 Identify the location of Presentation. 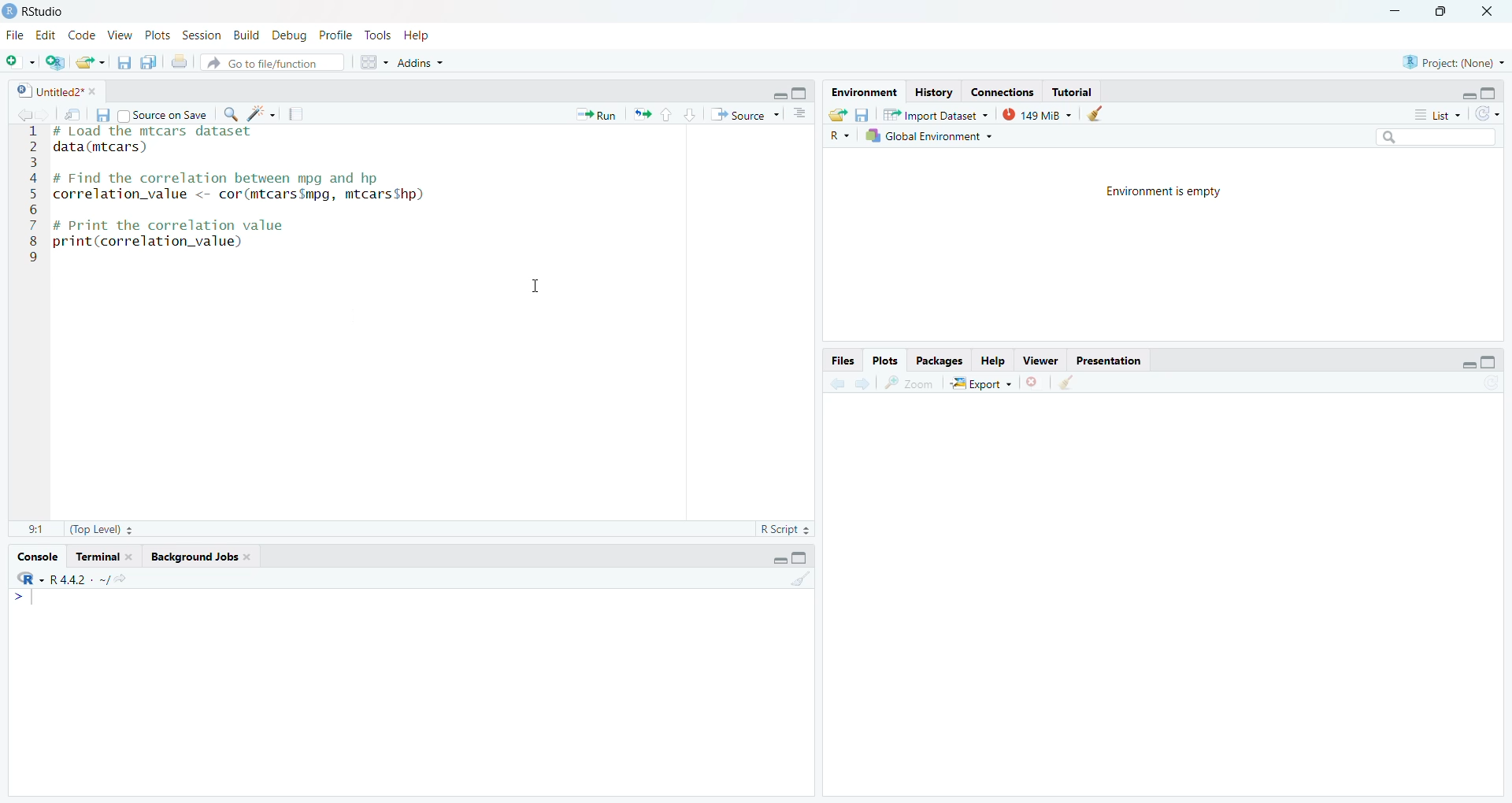
(1108, 359).